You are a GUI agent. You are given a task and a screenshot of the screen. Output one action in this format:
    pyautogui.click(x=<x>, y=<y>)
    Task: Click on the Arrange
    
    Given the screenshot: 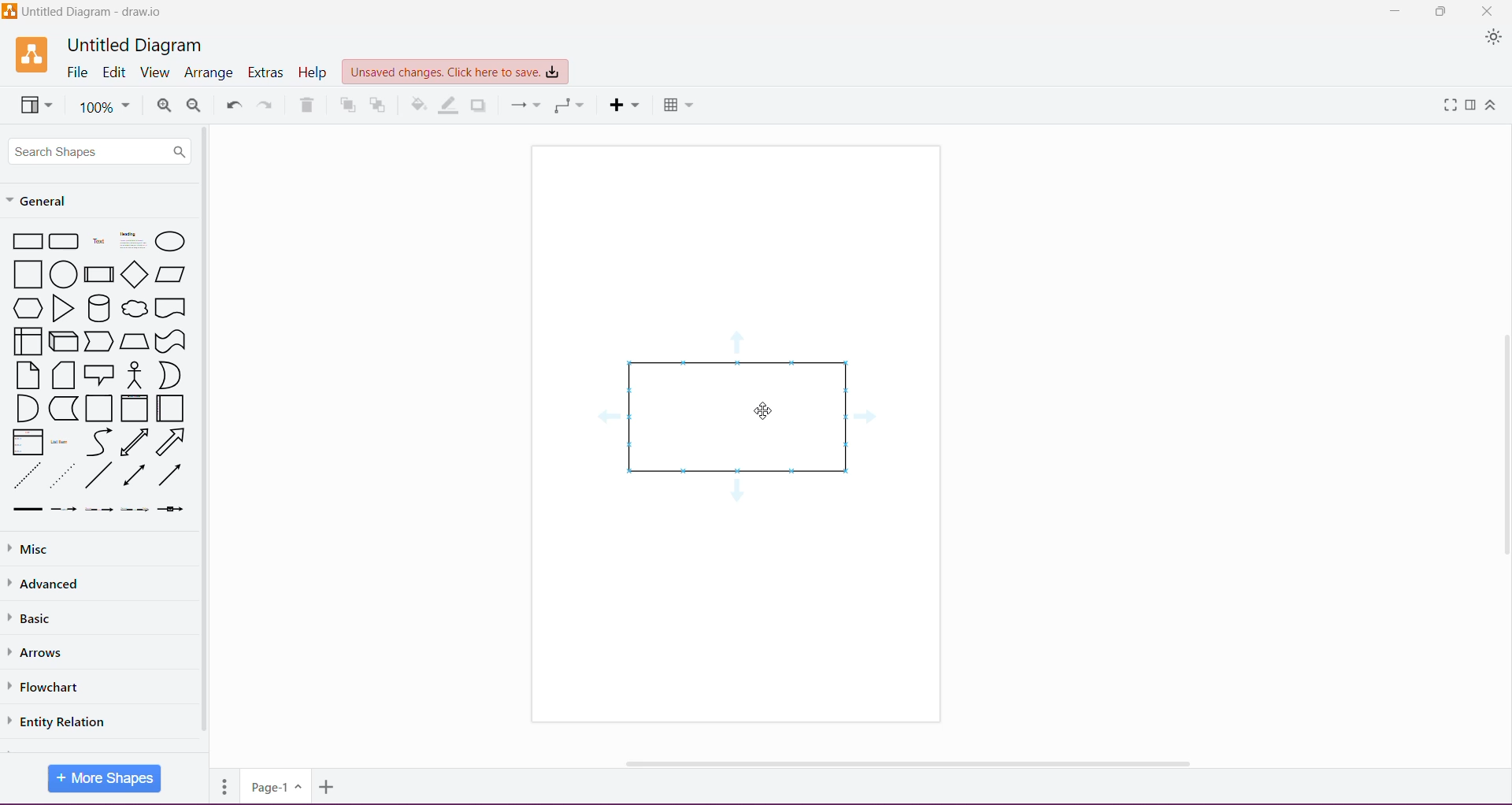 What is the action you would take?
    pyautogui.click(x=209, y=73)
    